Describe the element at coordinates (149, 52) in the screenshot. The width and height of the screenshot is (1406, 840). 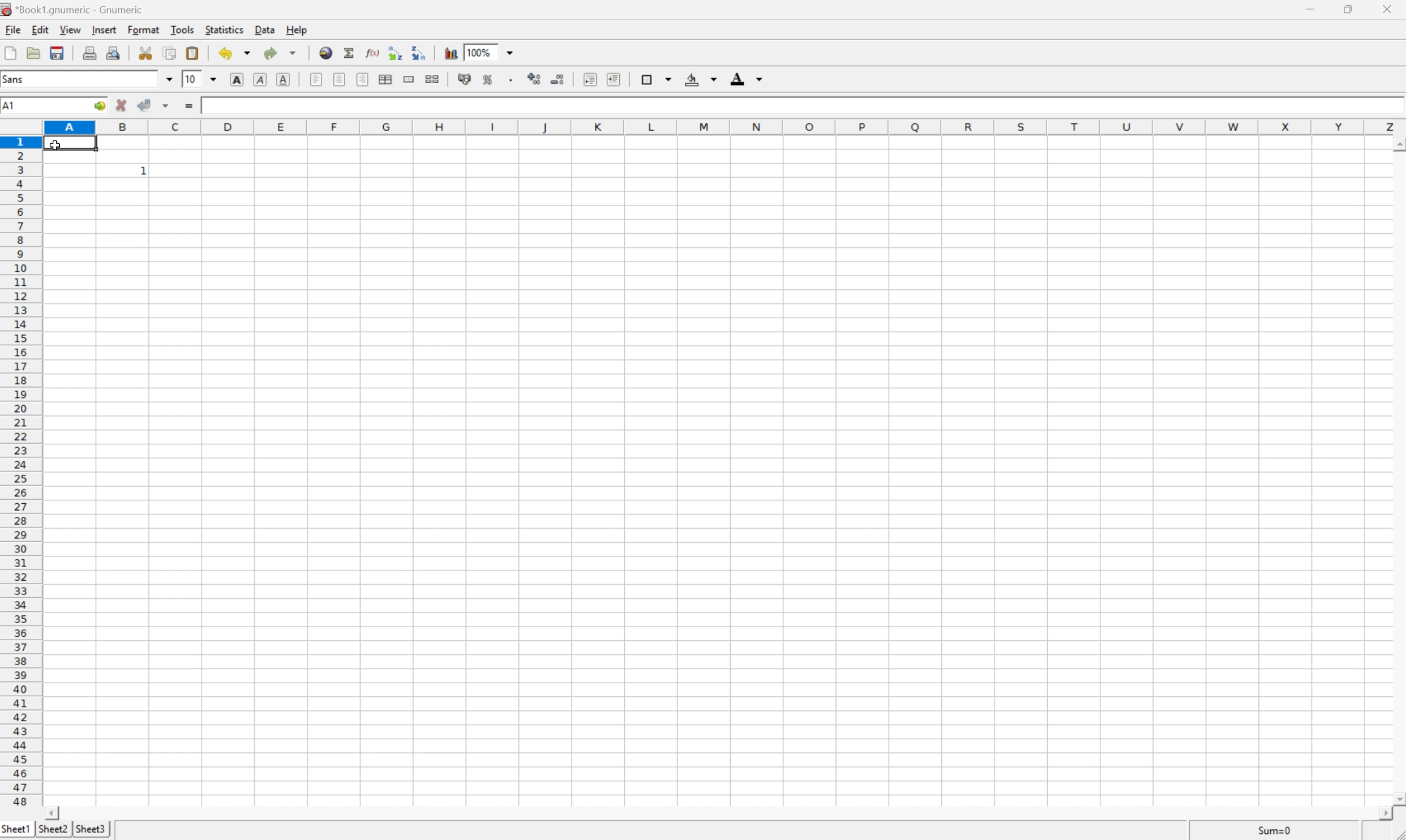
I see `cut` at that location.